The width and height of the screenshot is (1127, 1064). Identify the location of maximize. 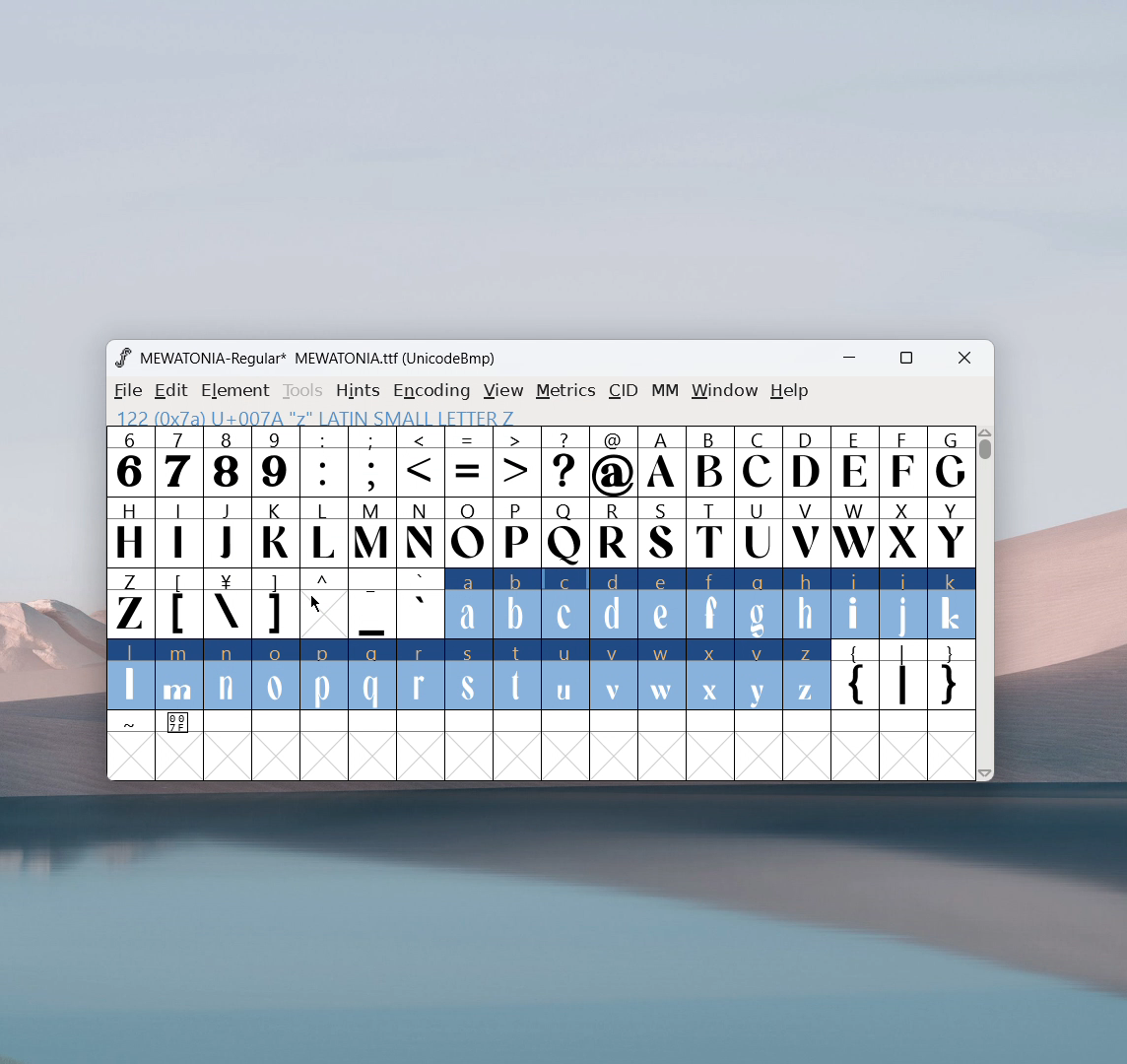
(905, 361).